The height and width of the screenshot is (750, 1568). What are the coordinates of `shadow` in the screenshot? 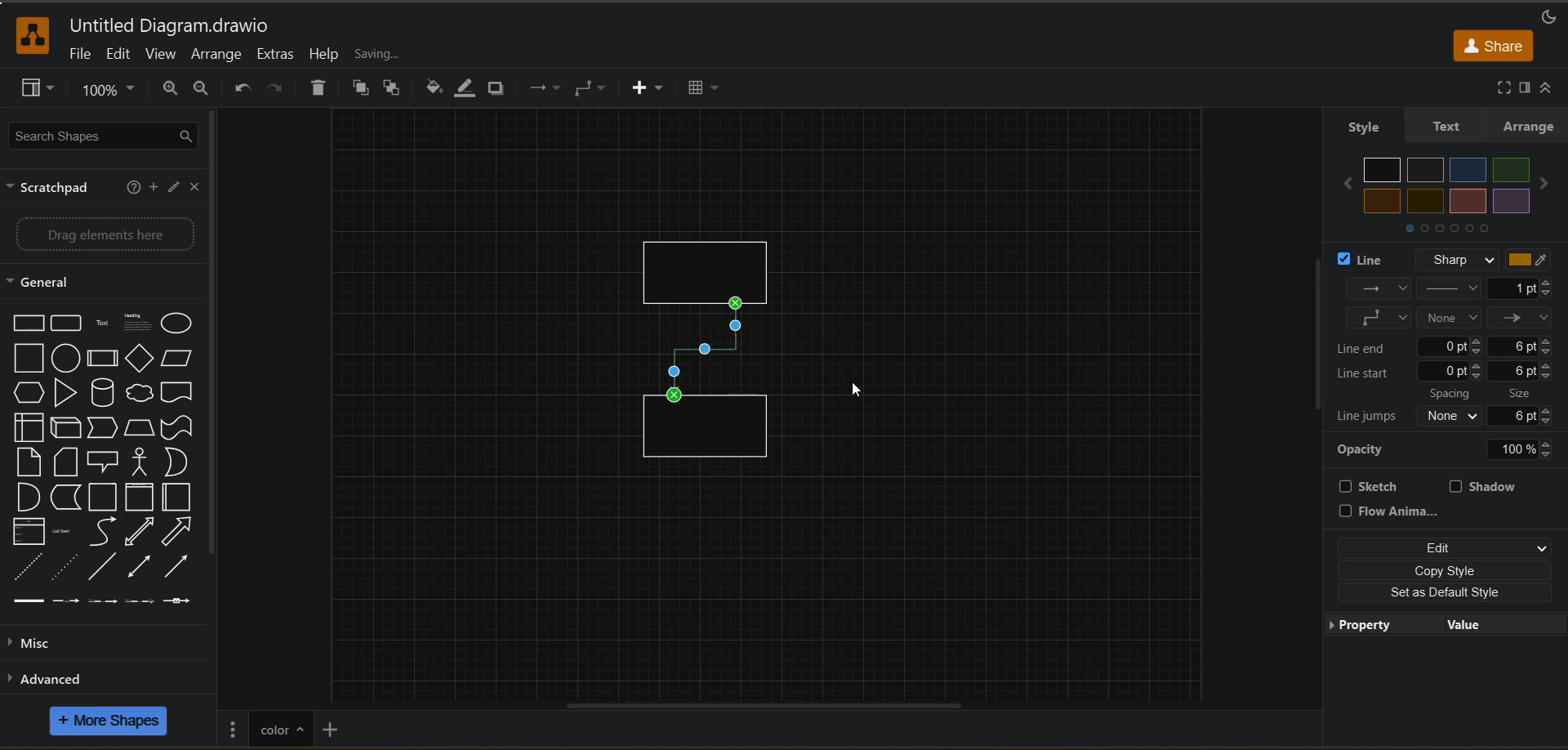 It's located at (1487, 486).